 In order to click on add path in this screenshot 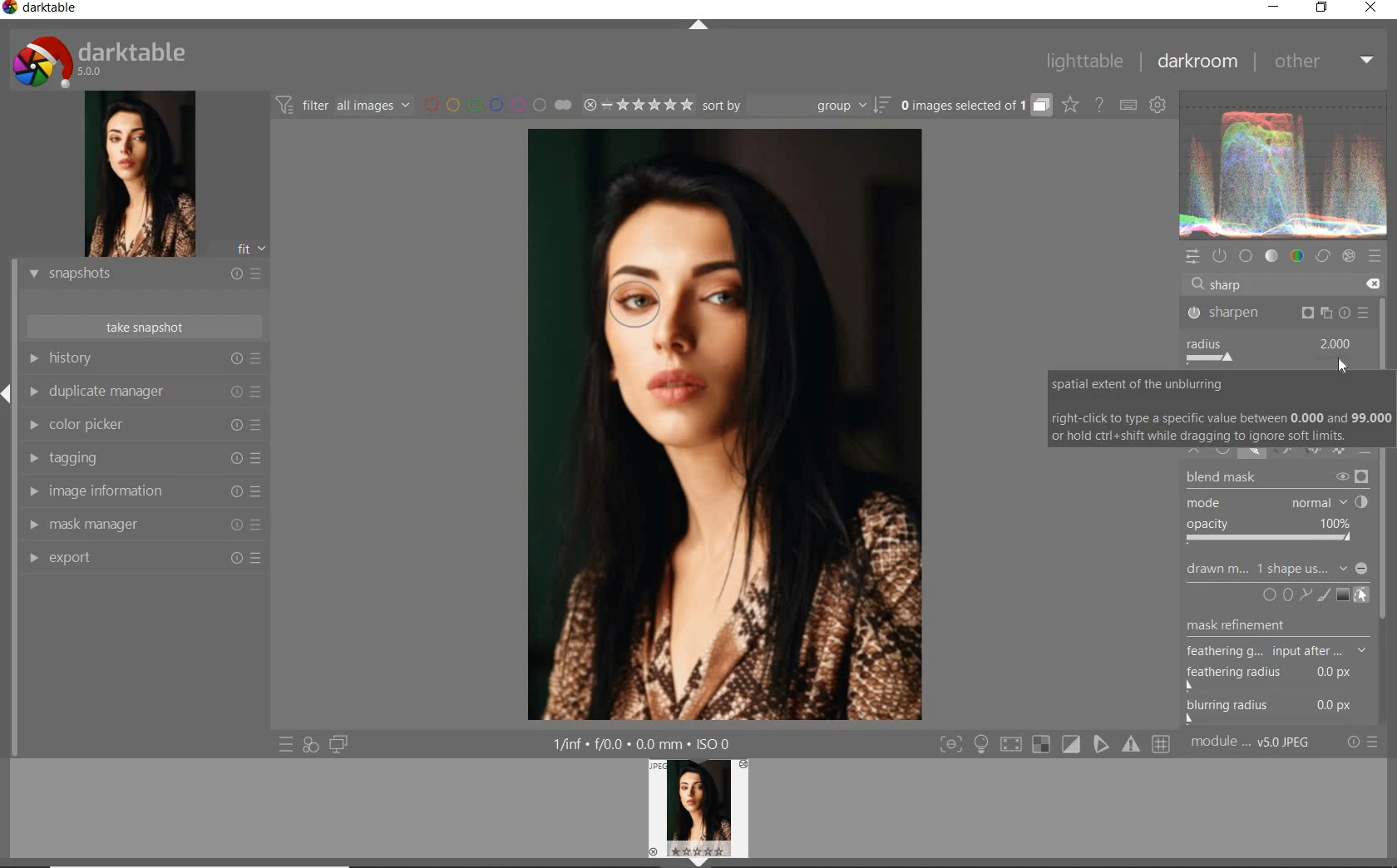, I will do `click(1306, 594)`.